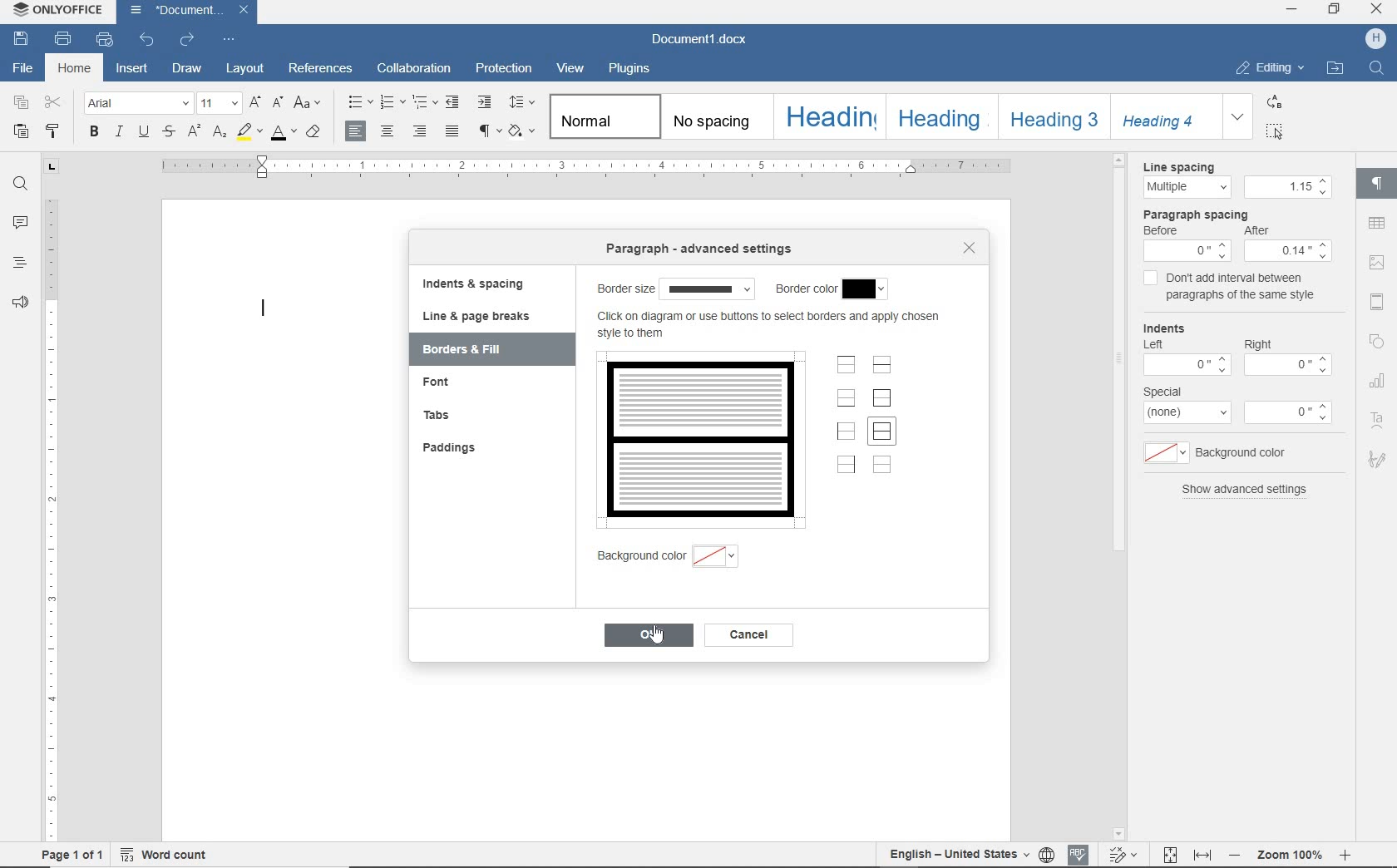  What do you see at coordinates (103, 40) in the screenshot?
I see `print` at bounding box center [103, 40].